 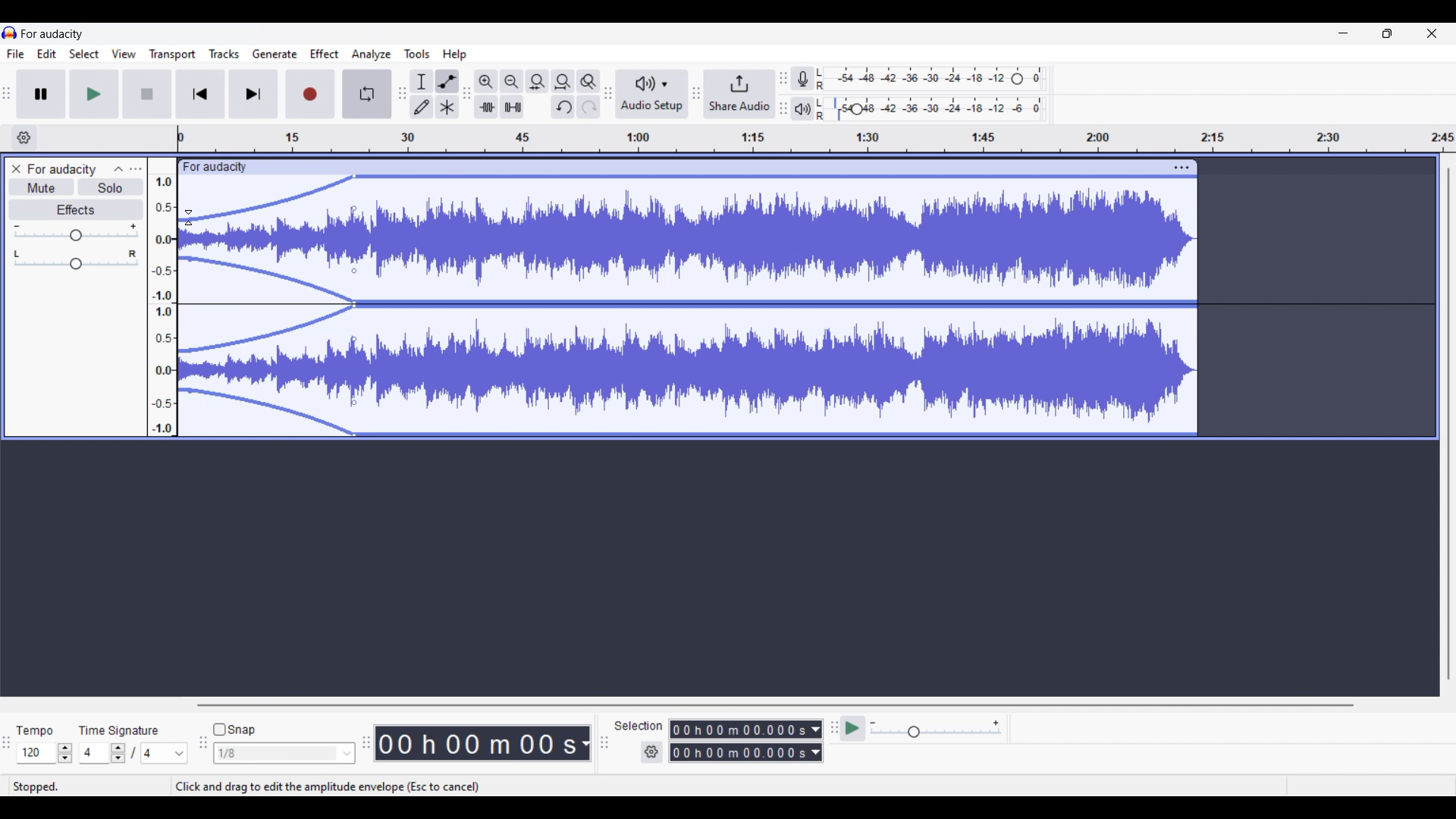 What do you see at coordinates (124, 54) in the screenshot?
I see `View` at bounding box center [124, 54].